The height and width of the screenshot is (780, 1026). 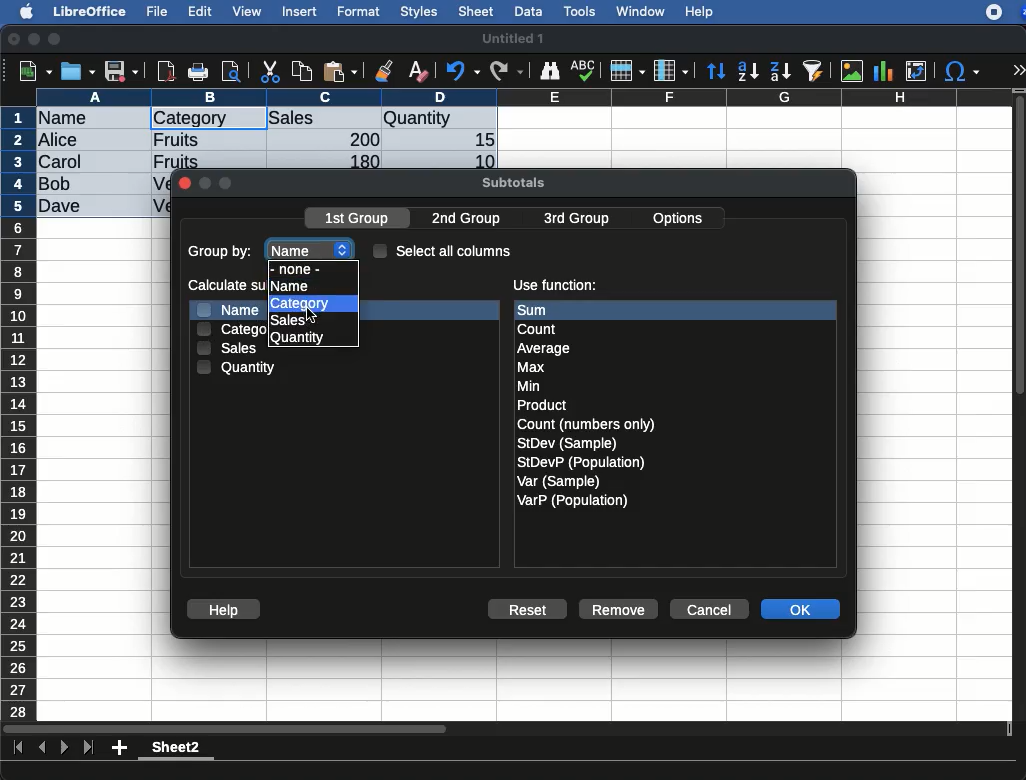 I want to click on apple, so click(x=21, y=10).